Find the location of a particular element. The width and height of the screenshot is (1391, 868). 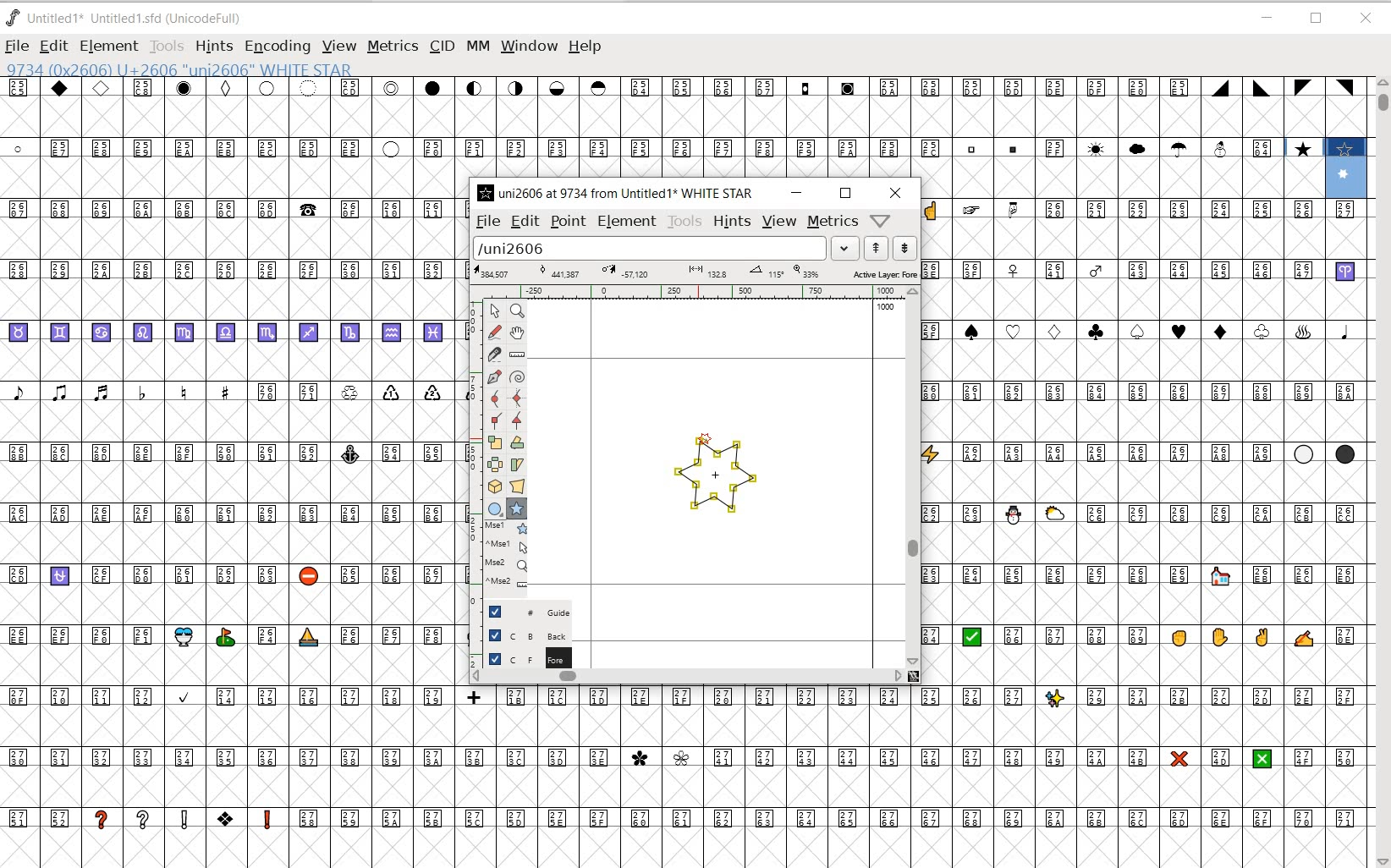

CLOSE is located at coordinates (1366, 19).